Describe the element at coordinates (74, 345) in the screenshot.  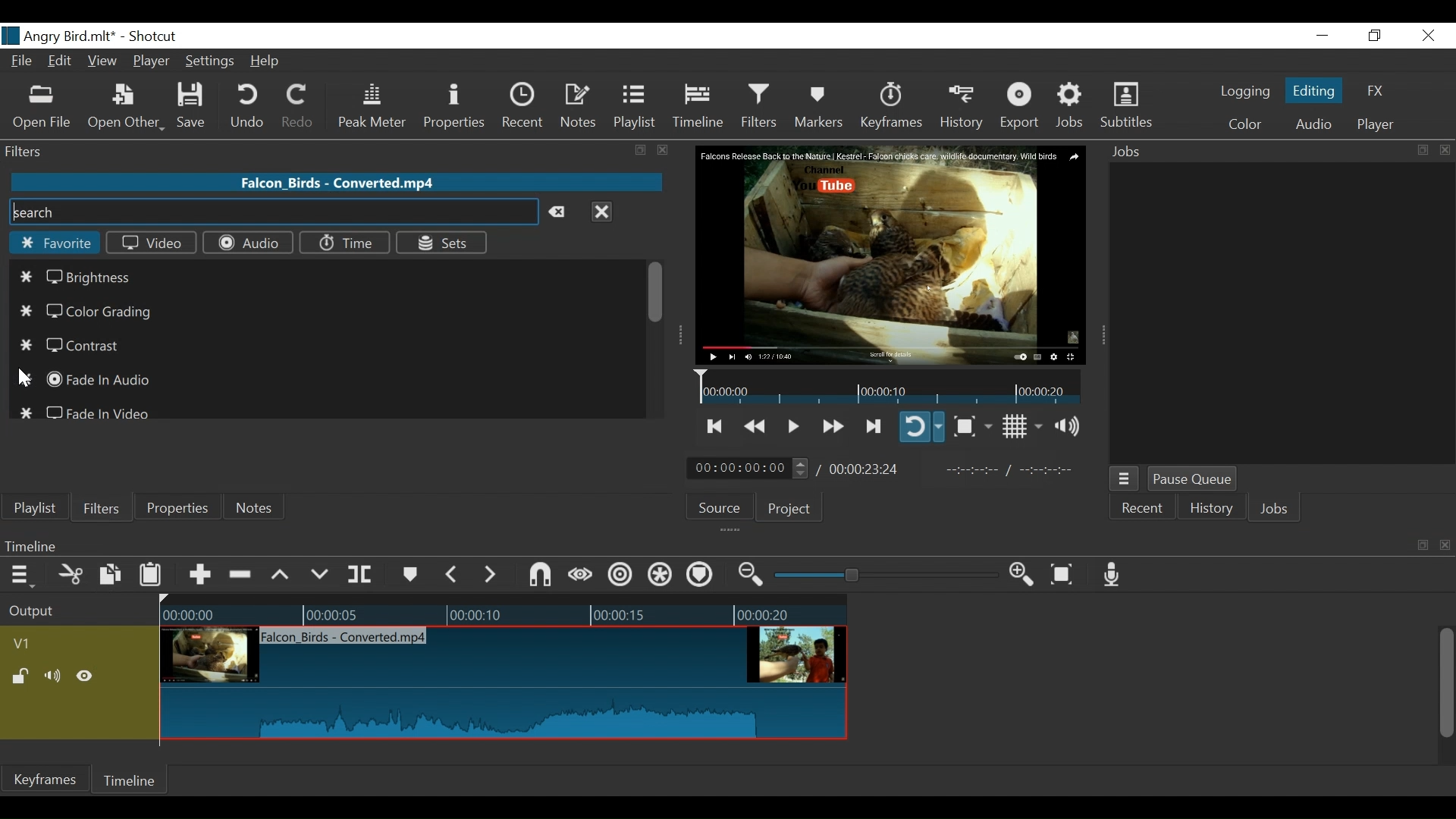
I see `Contrast` at that location.